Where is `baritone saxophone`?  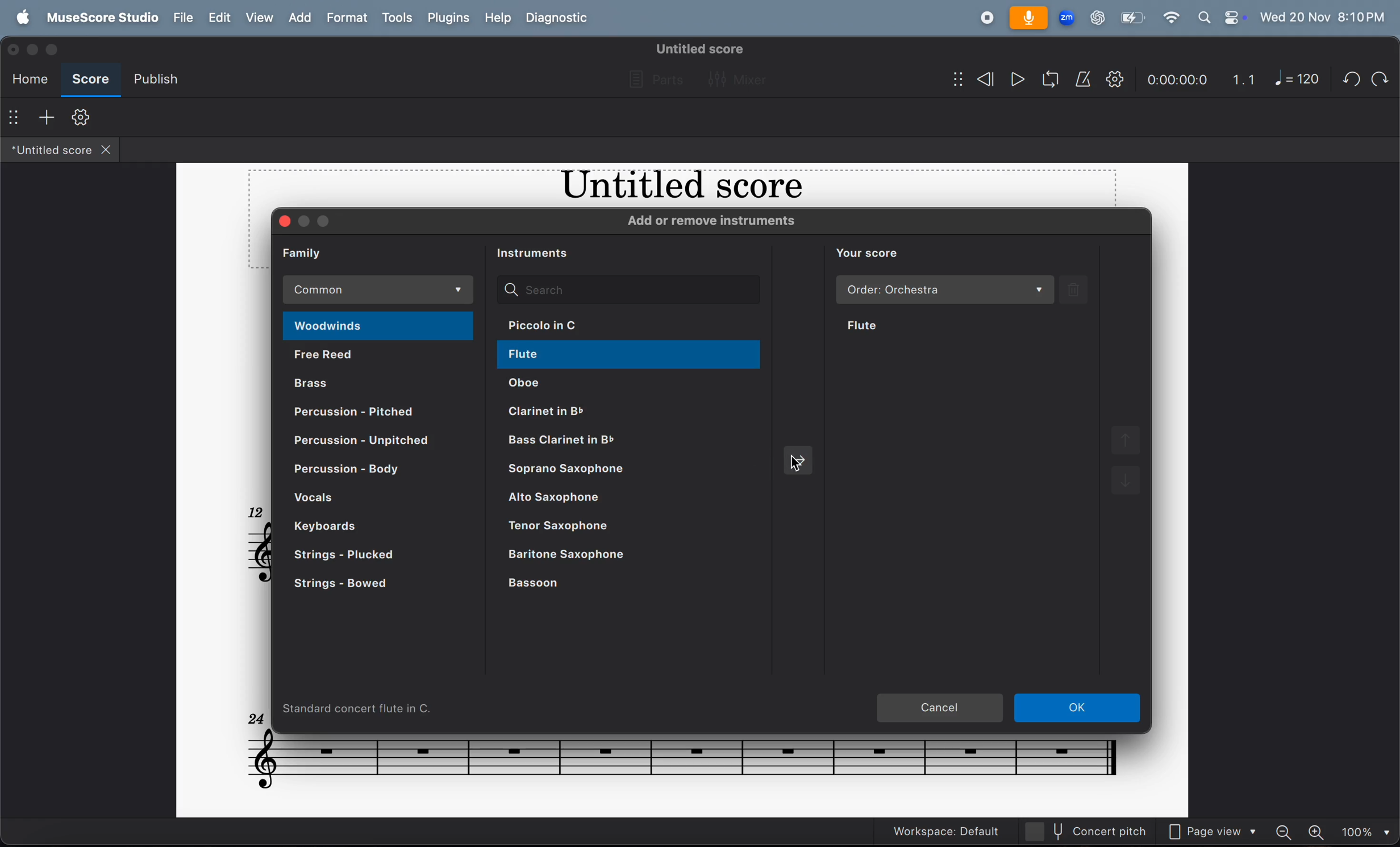
baritone saxophone is located at coordinates (622, 556).